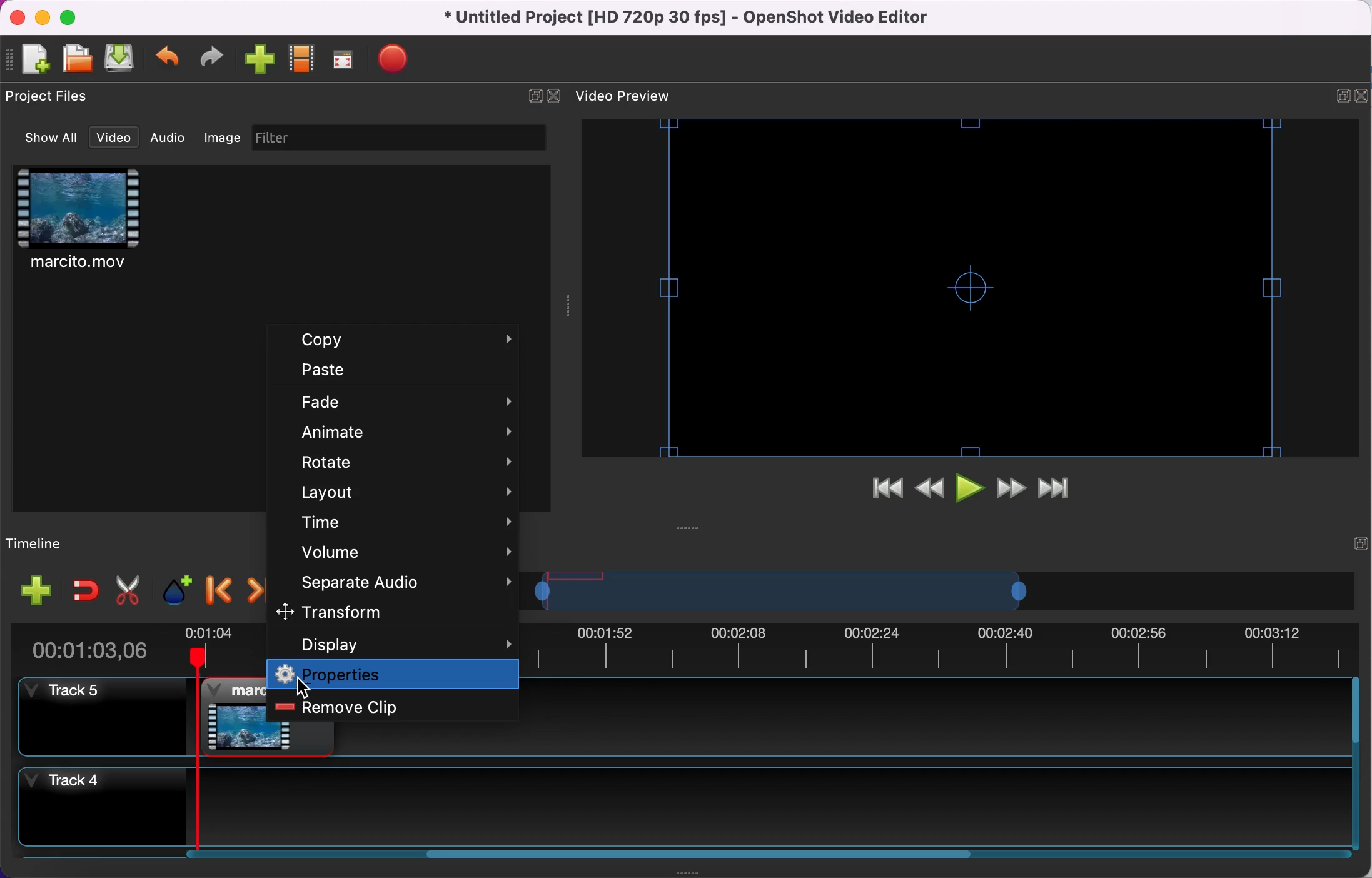 The height and width of the screenshot is (878, 1372). Describe the element at coordinates (169, 59) in the screenshot. I see `undo` at that location.